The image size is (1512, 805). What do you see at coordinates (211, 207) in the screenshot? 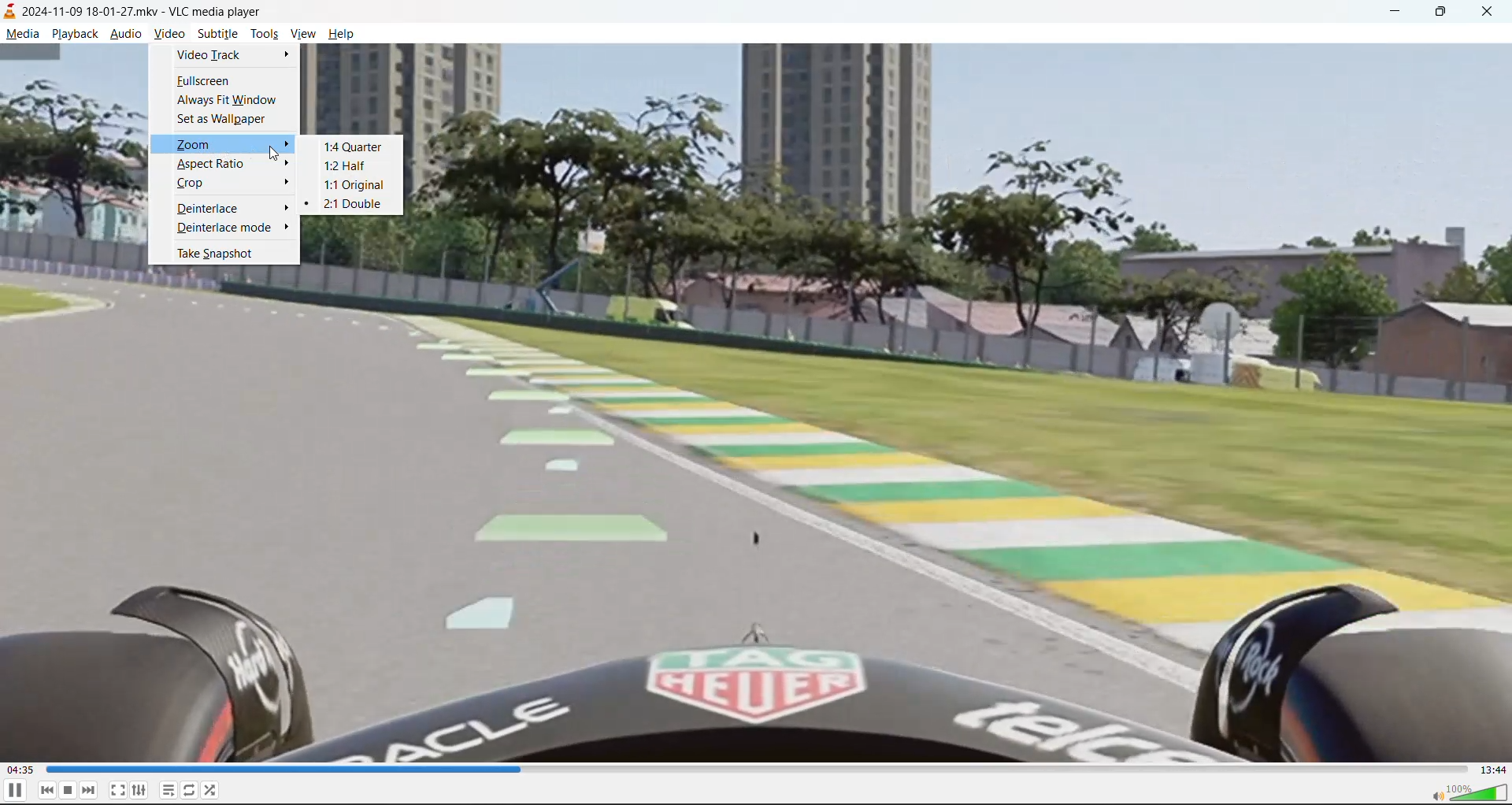
I see `deinterlace` at bounding box center [211, 207].